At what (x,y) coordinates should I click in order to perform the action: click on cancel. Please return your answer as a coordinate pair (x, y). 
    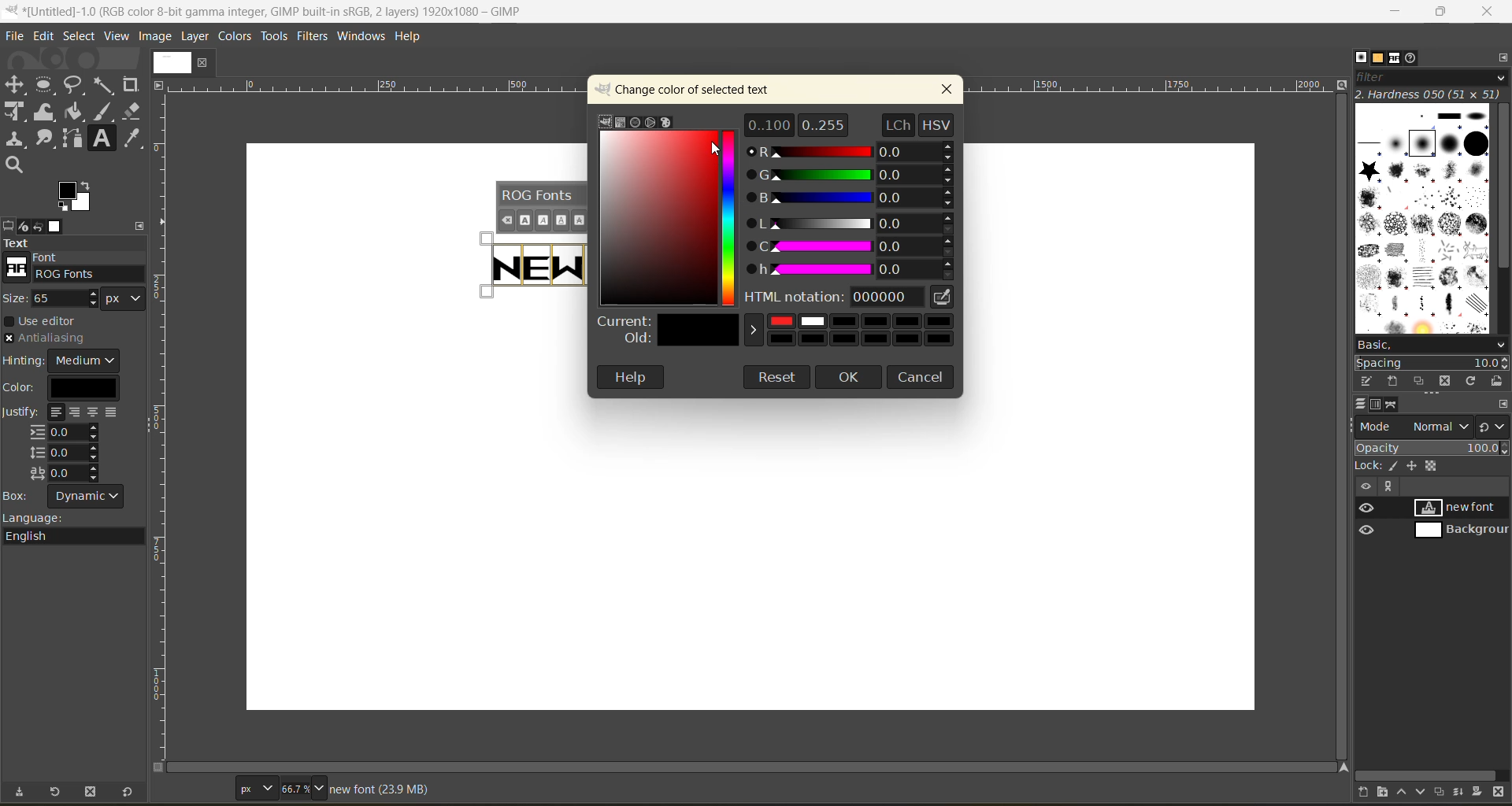
    Looking at the image, I should click on (921, 375).